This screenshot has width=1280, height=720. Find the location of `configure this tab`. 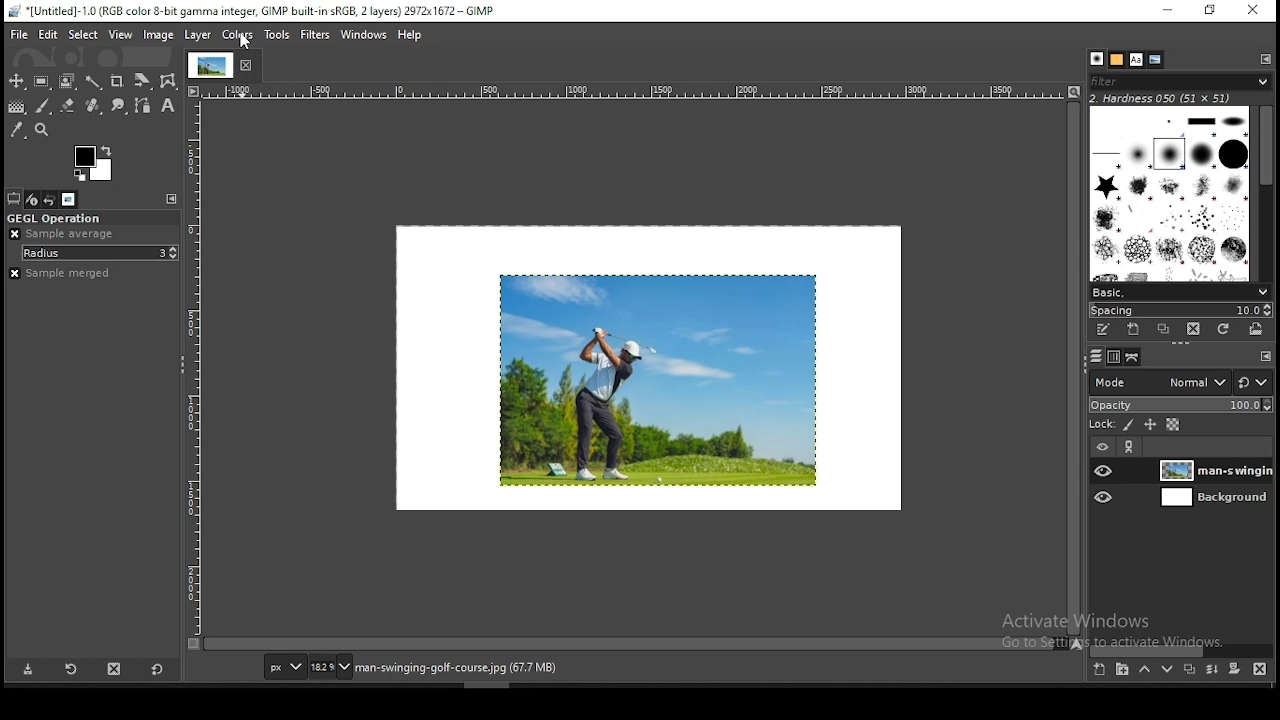

configure this tab is located at coordinates (1263, 355).